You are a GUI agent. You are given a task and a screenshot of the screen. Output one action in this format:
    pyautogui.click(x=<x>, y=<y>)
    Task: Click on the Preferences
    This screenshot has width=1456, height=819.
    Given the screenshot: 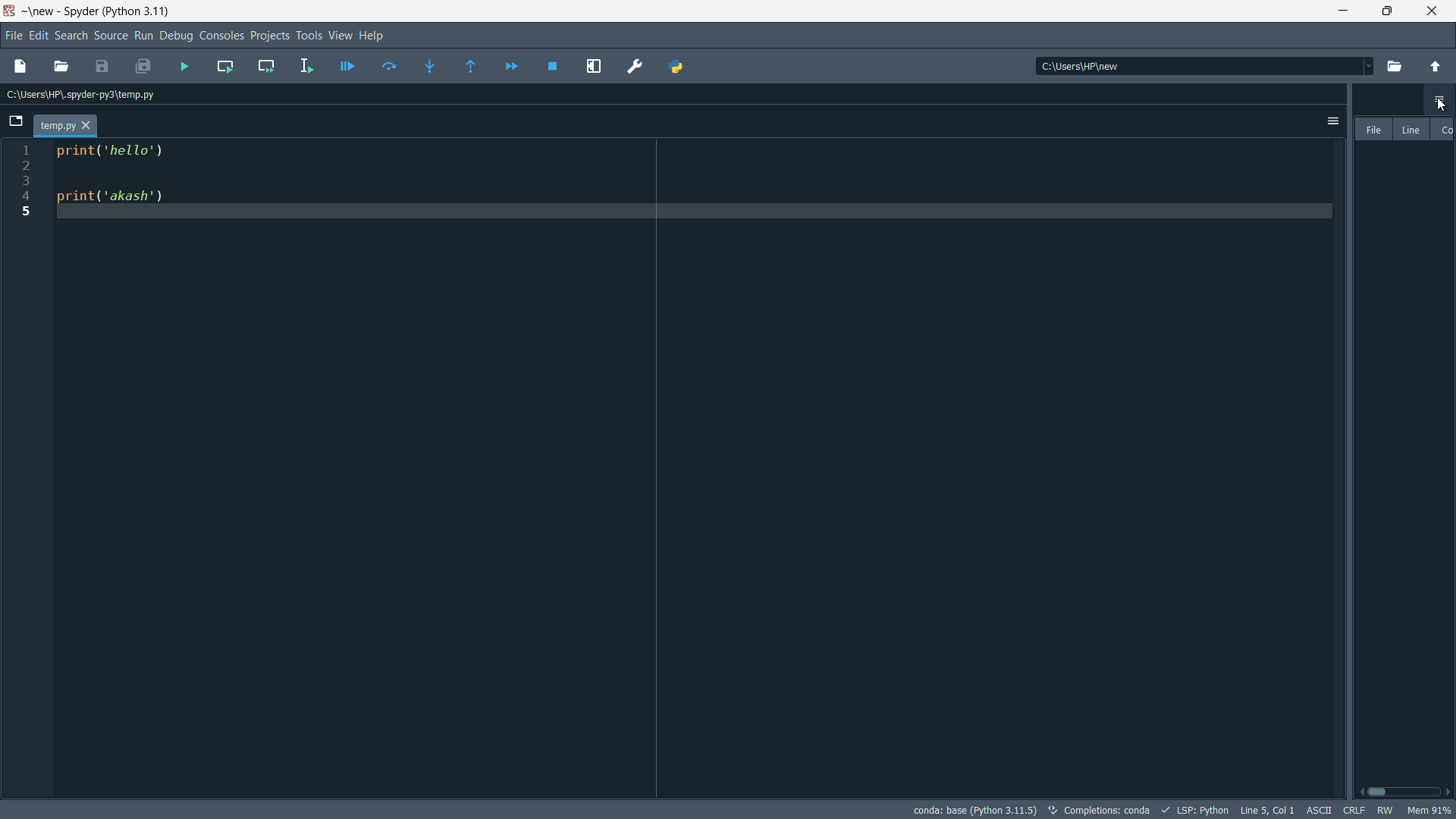 What is the action you would take?
    pyautogui.click(x=632, y=69)
    